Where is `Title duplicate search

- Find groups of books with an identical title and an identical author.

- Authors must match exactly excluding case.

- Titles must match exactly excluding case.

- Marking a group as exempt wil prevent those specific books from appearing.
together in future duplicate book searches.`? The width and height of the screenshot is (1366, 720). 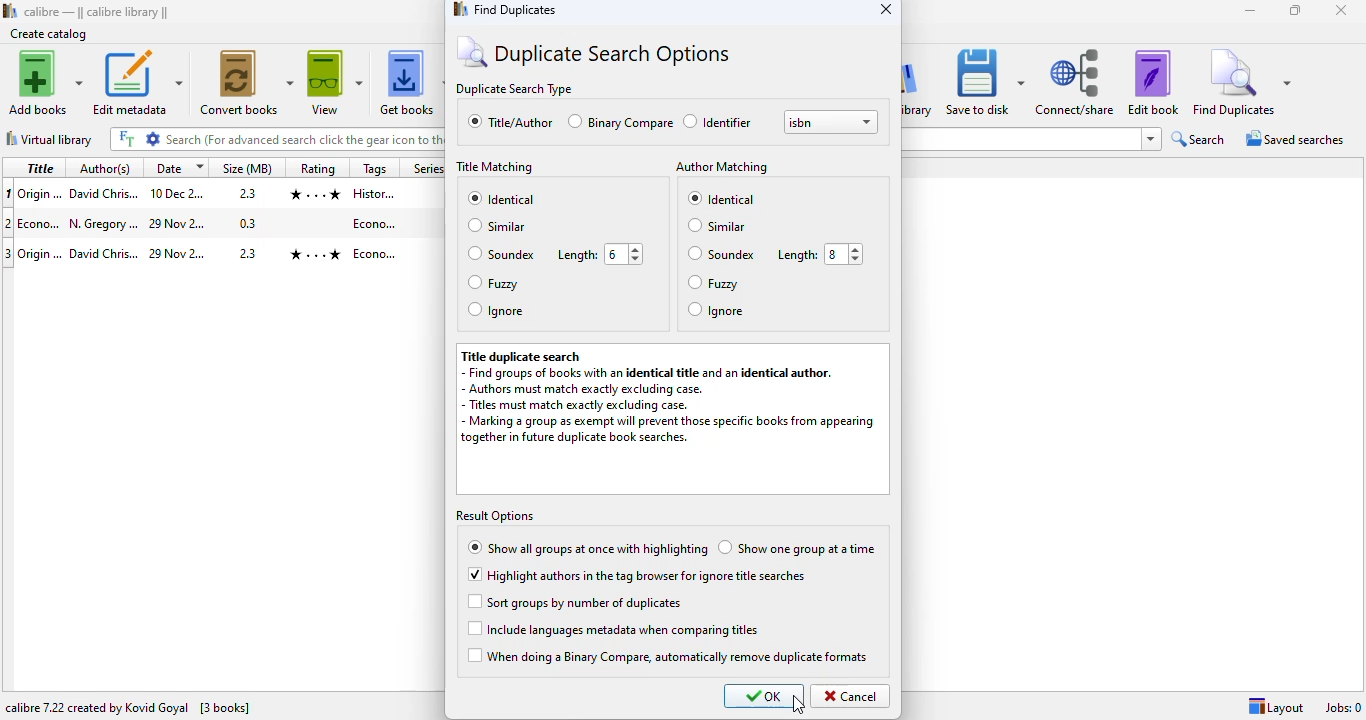
Title duplicate search

- Find groups of books with an identical title and an identical author.

- Authors must match exactly excluding case.

- Titles must match exactly excluding case.

- Marking a group as exempt wil prevent those specific books from appearing.
together in future duplicate book searches. is located at coordinates (671, 418).